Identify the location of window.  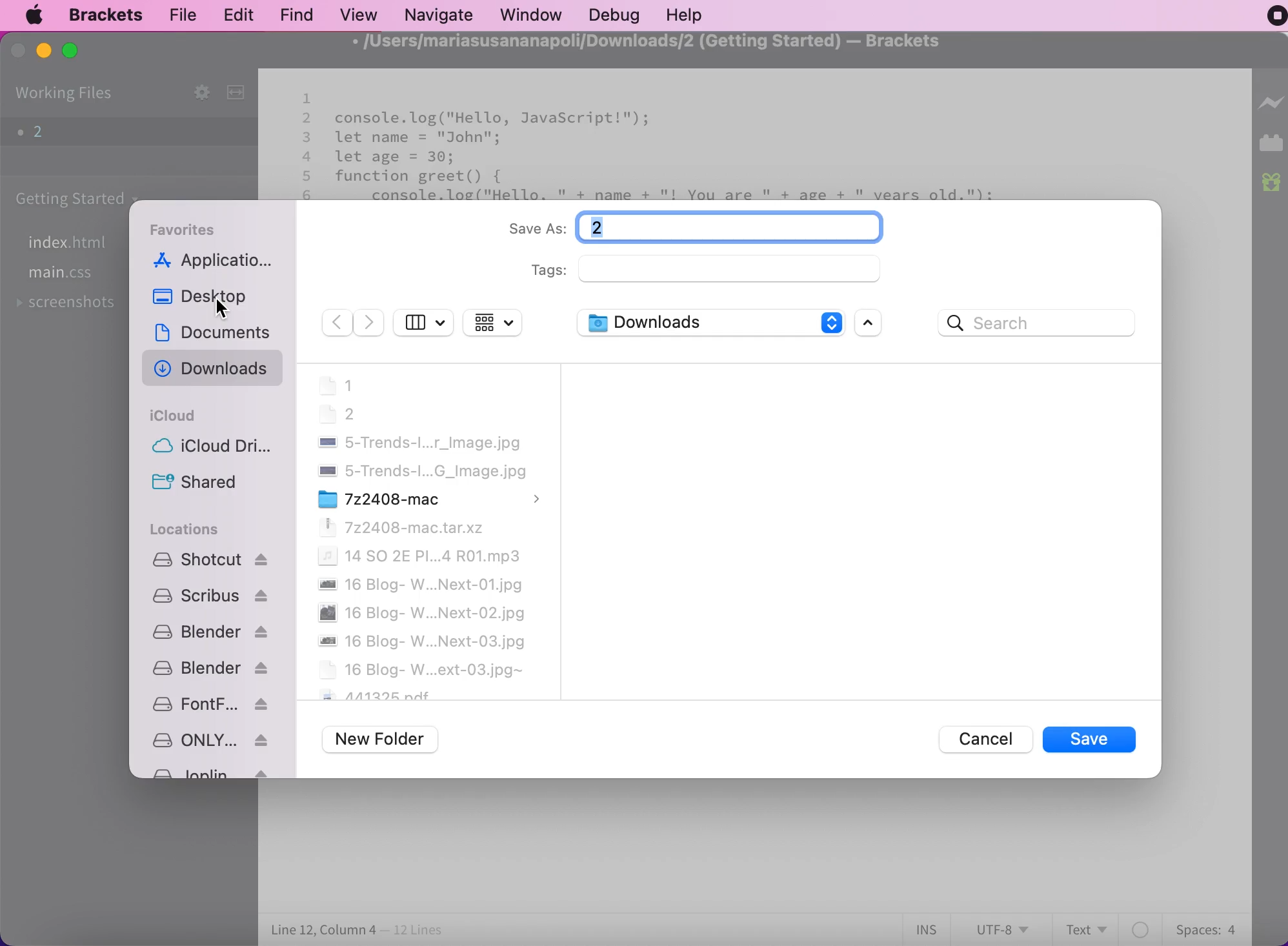
(529, 15).